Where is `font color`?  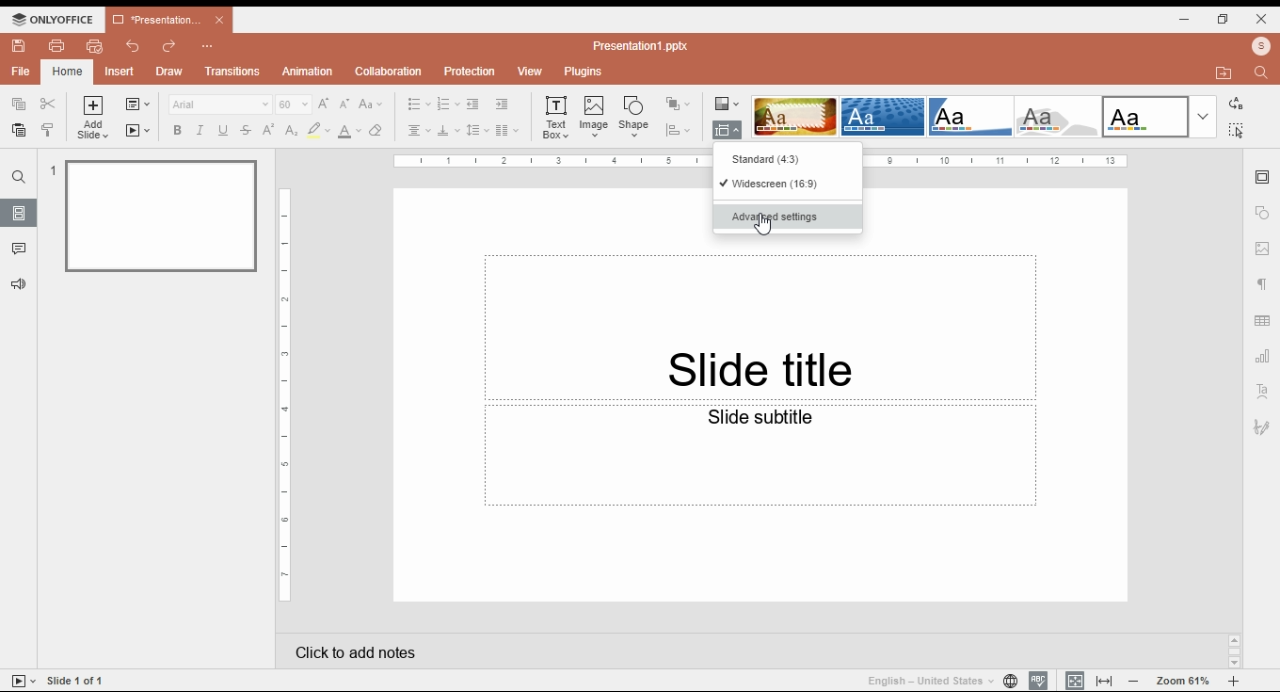
font color is located at coordinates (351, 131).